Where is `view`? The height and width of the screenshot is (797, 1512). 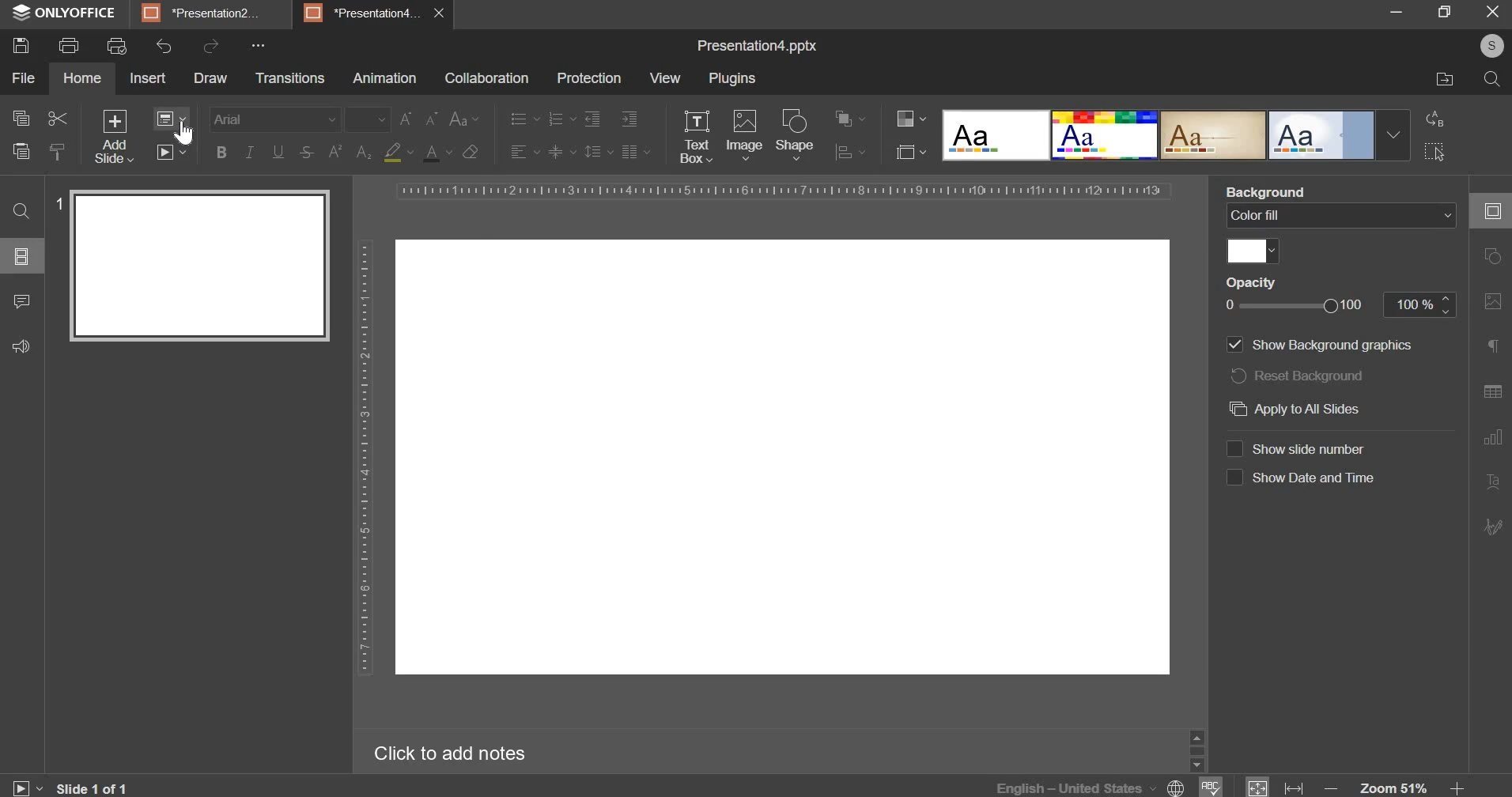
view is located at coordinates (667, 77).